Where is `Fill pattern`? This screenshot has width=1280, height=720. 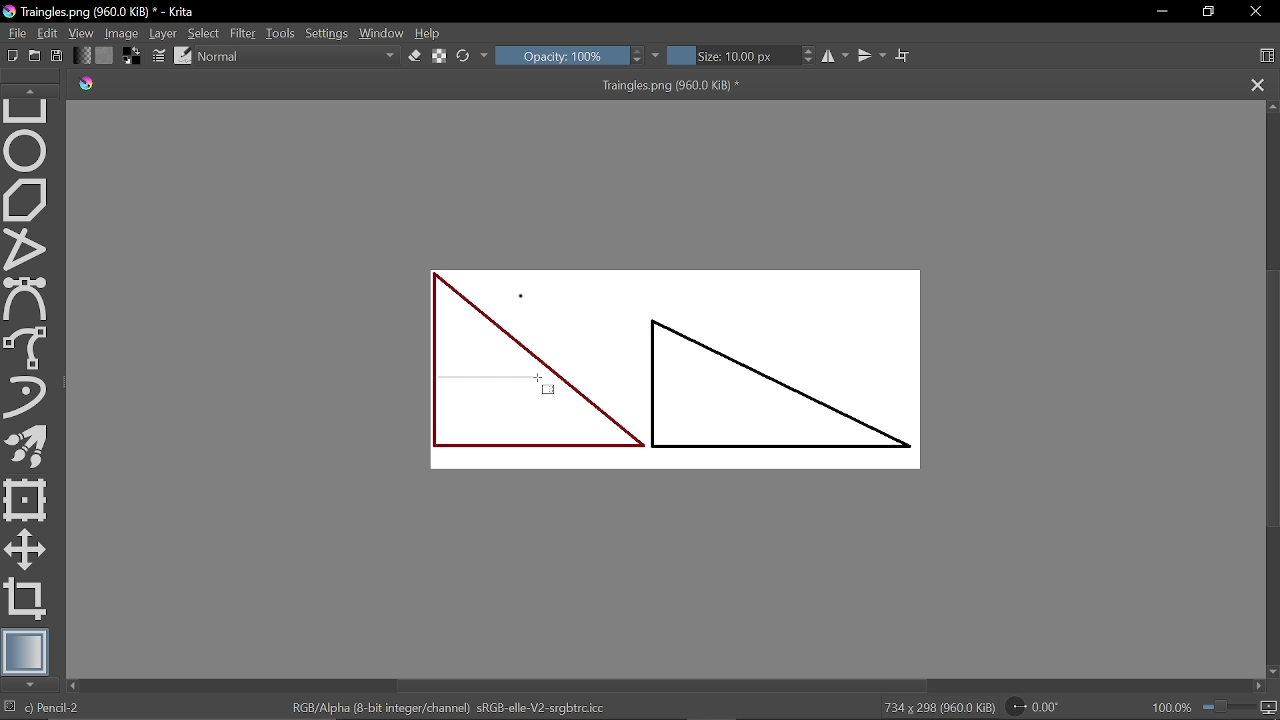
Fill pattern is located at coordinates (105, 54).